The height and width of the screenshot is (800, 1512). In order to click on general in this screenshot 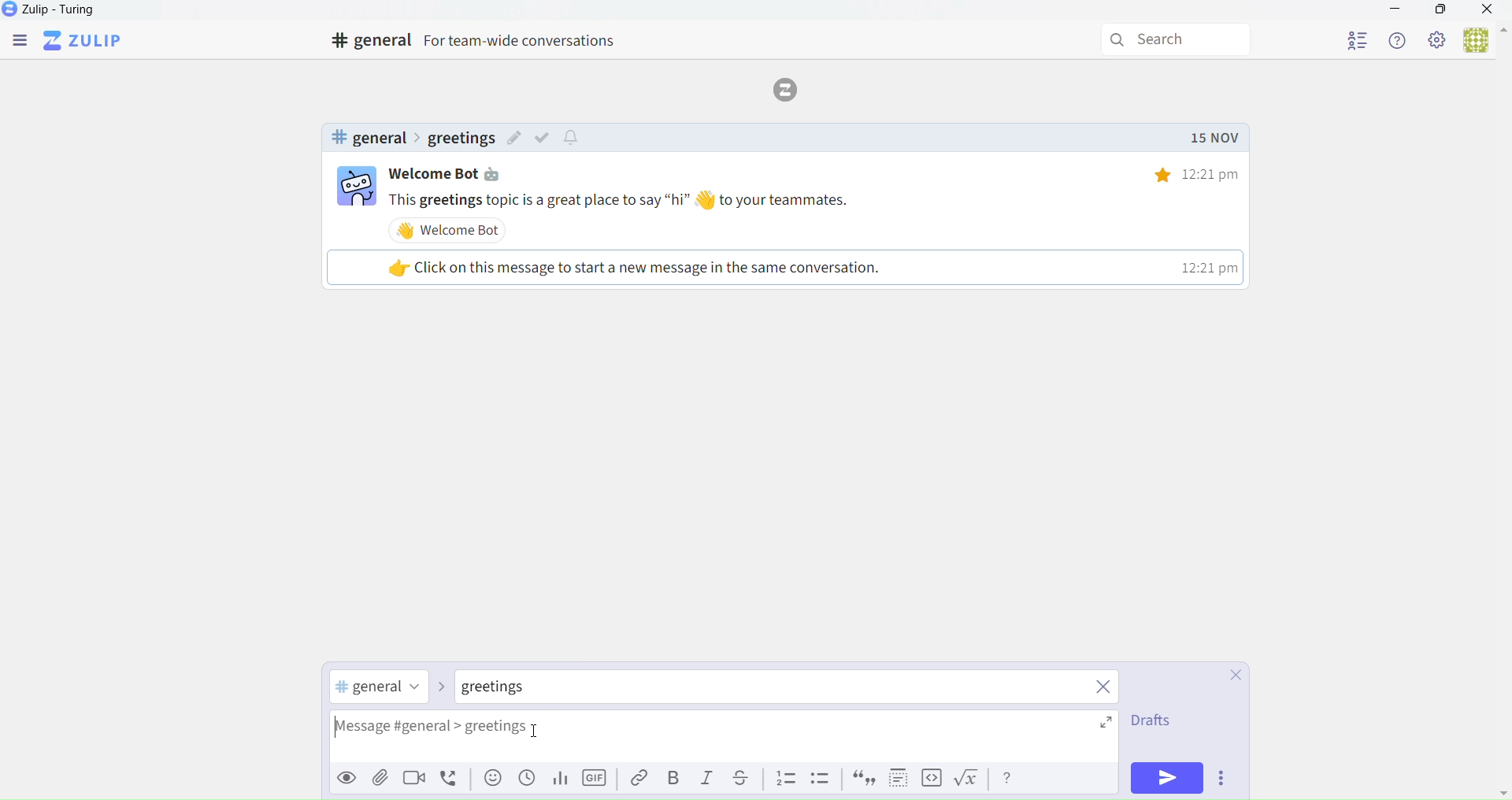, I will do `click(368, 138)`.